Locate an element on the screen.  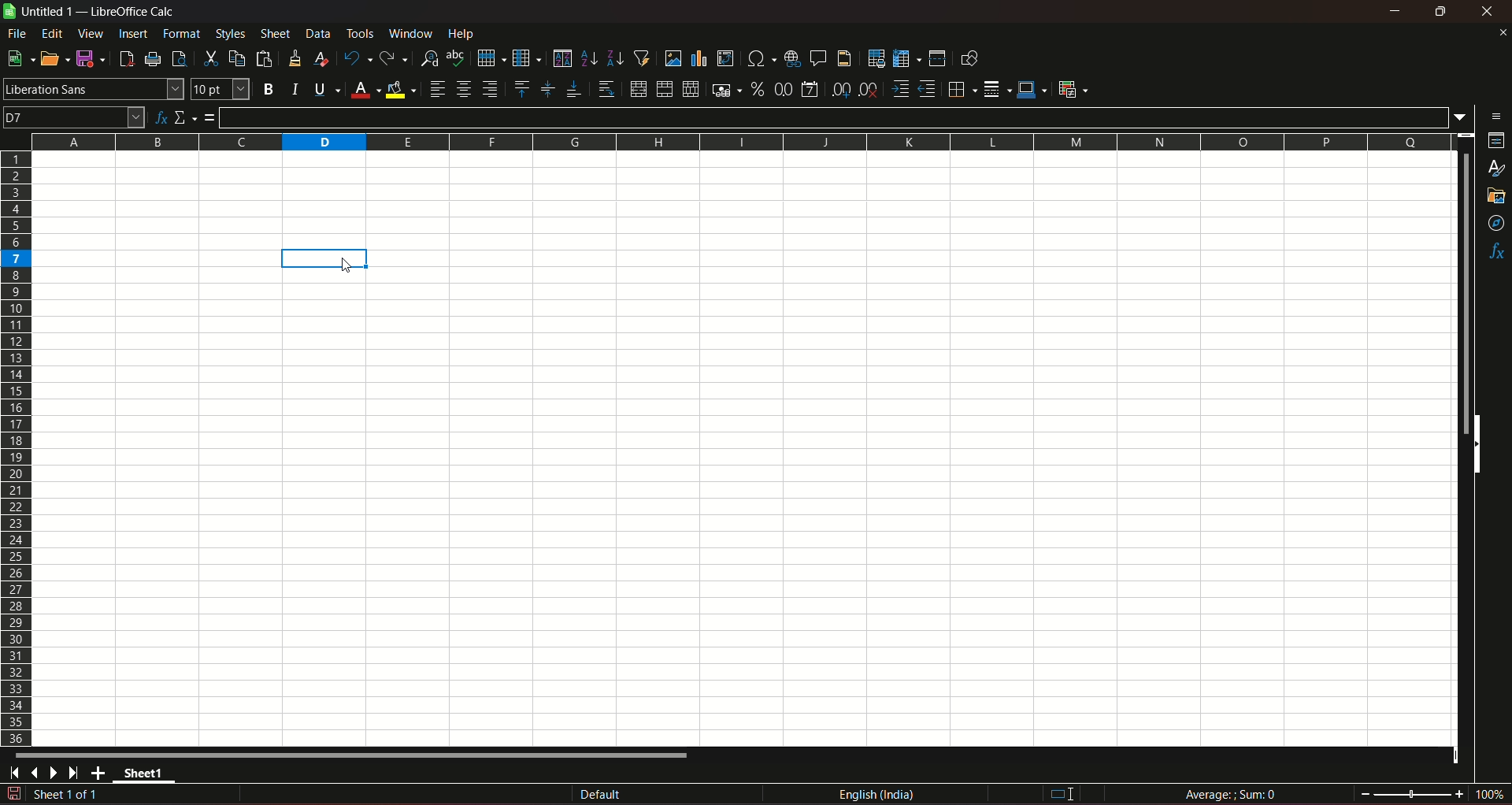
insert special character is located at coordinates (759, 57).